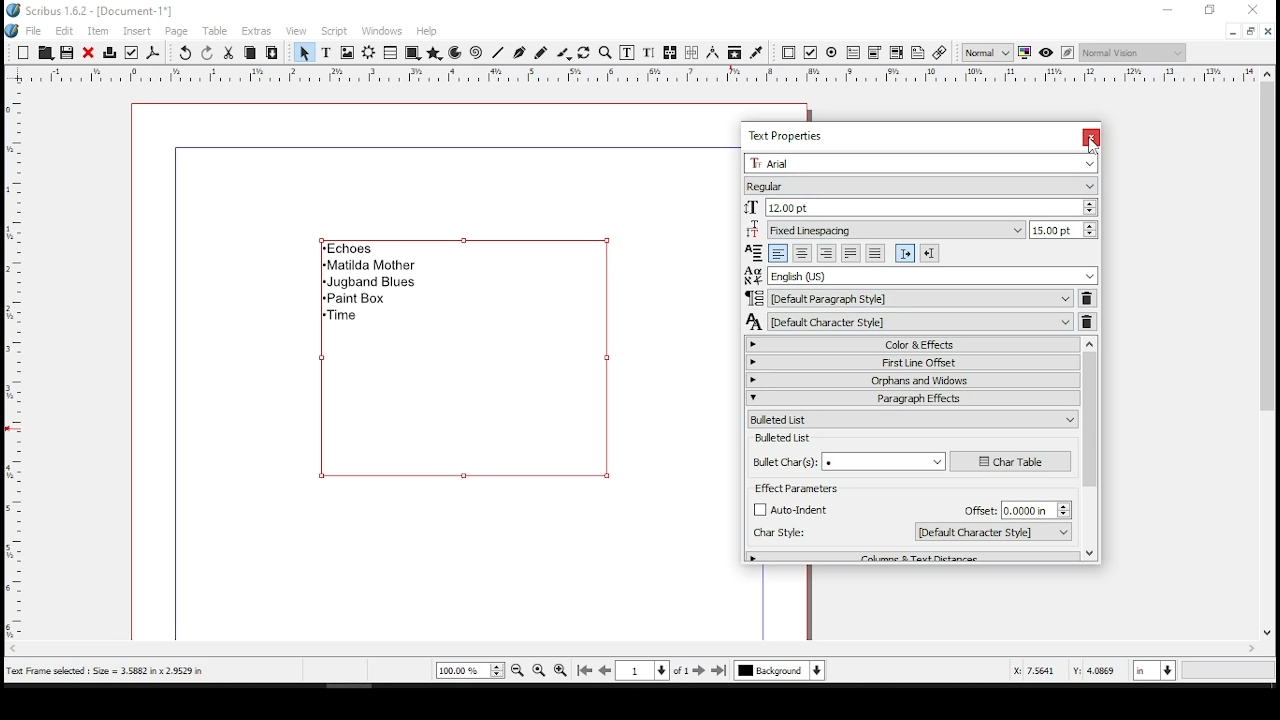  What do you see at coordinates (918, 186) in the screenshot?
I see `font type` at bounding box center [918, 186].